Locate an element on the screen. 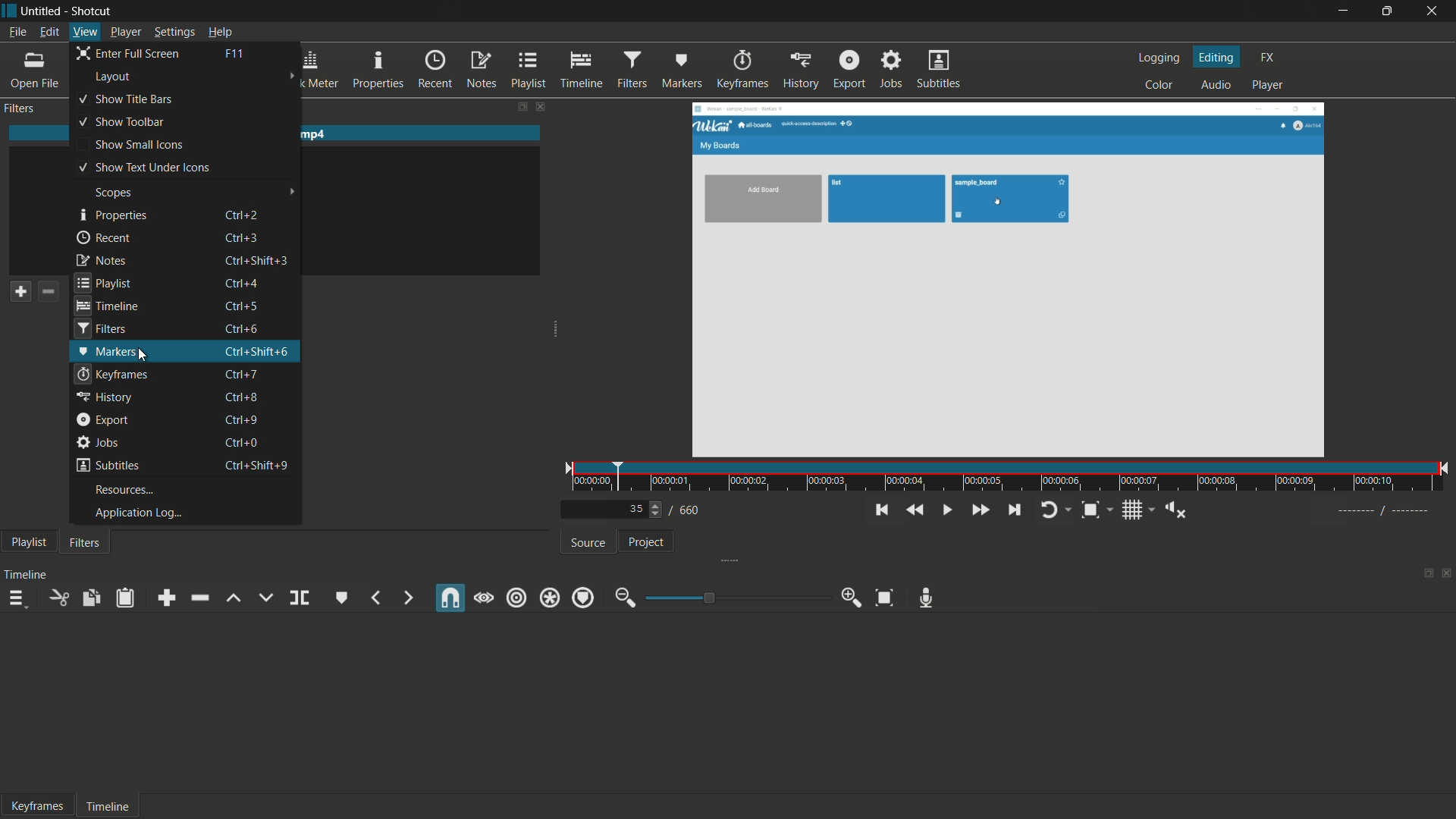  help menu is located at coordinates (221, 32).